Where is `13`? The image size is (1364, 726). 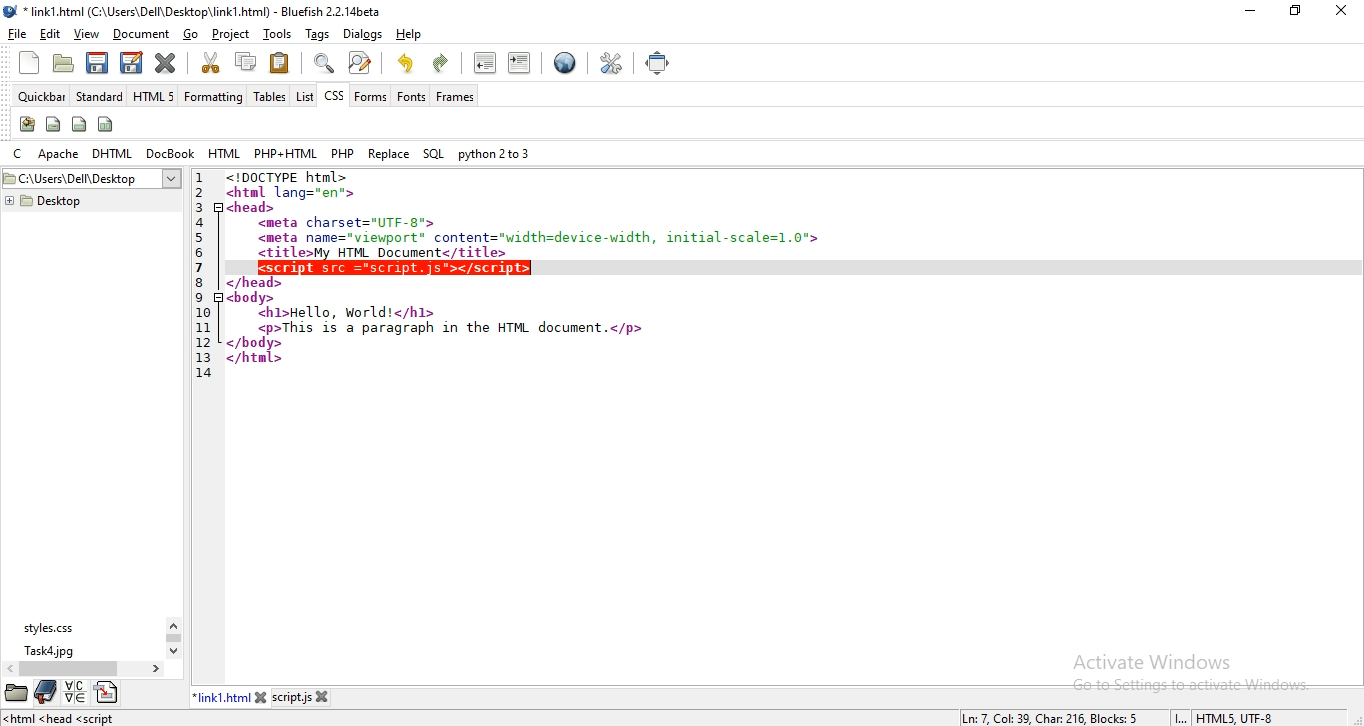
13 is located at coordinates (203, 358).